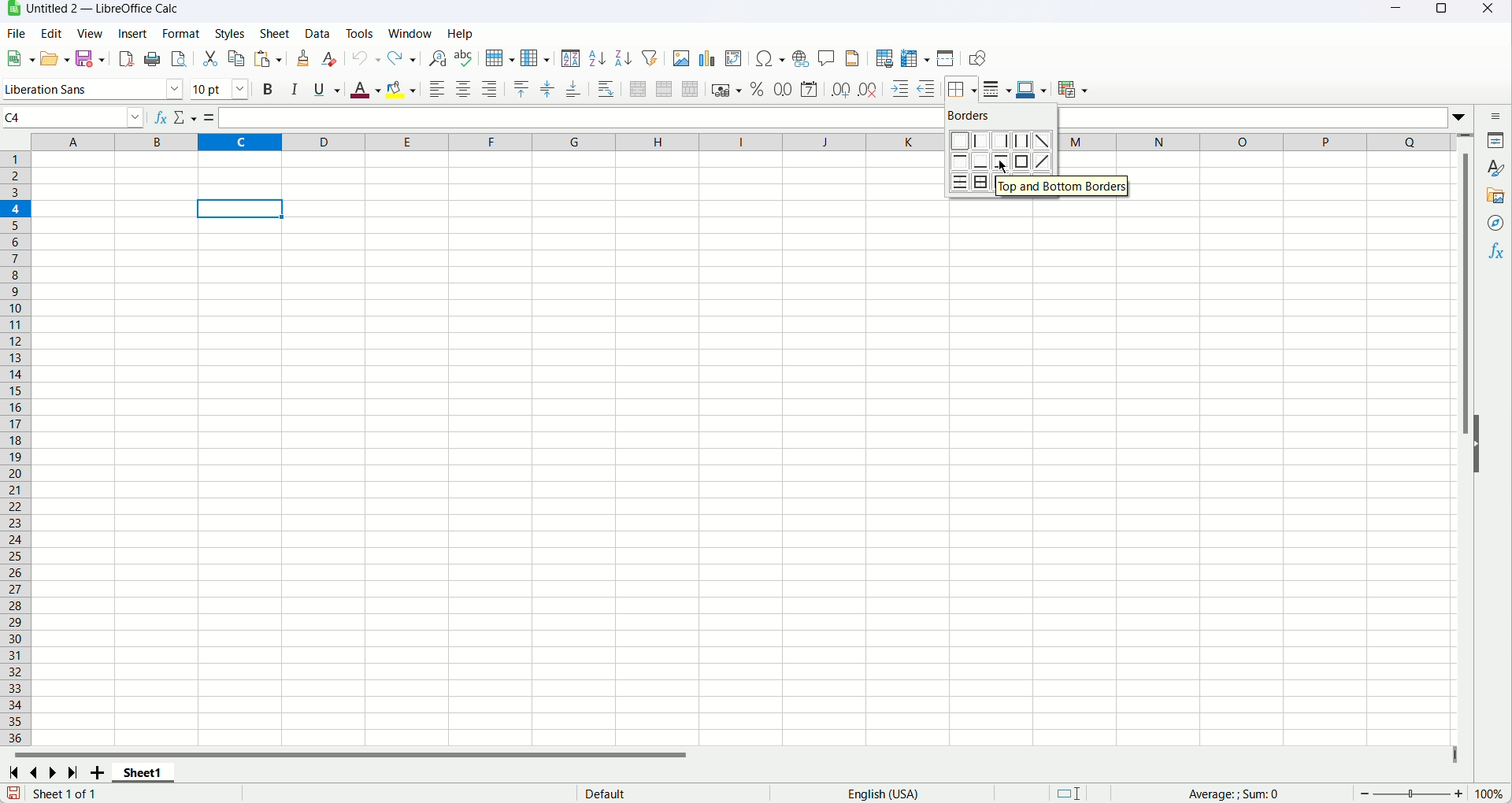 This screenshot has width=1512, height=803. Describe the element at coordinates (212, 119) in the screenshot. I see `Formula` at that location.